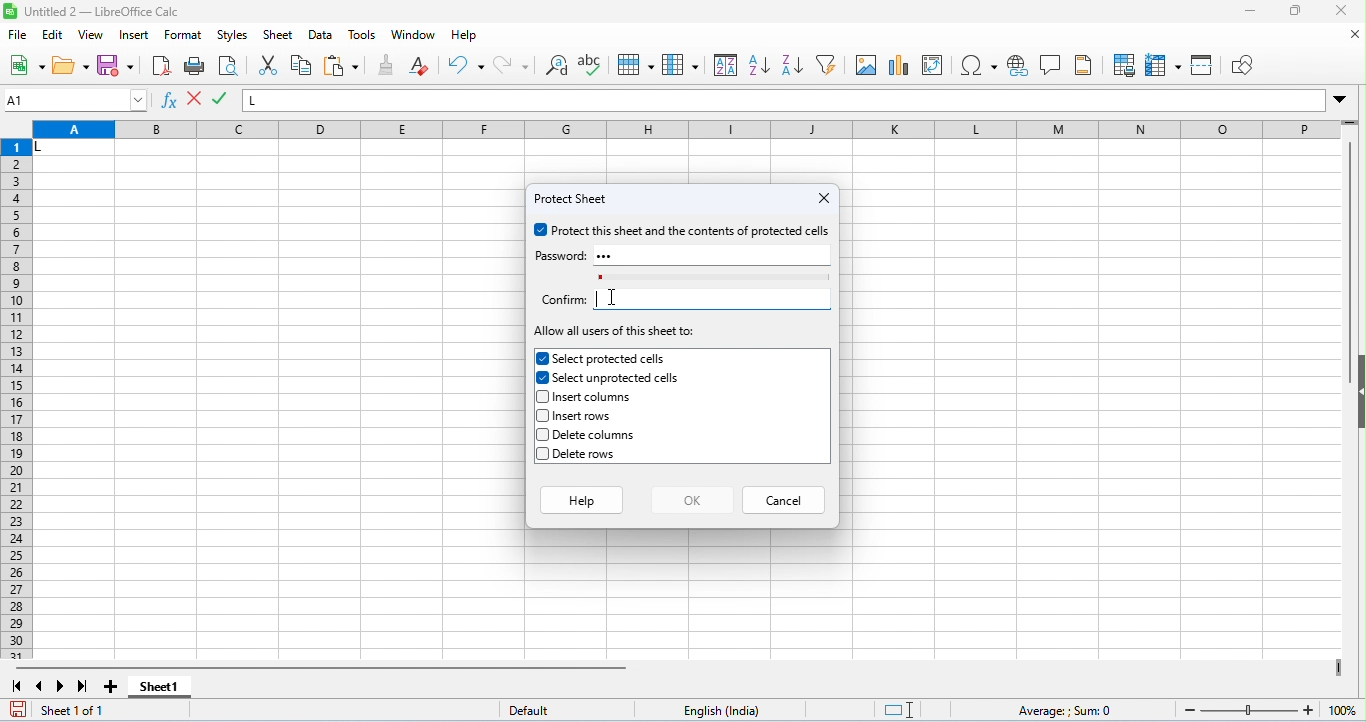 The image size is (1366, 722). What do you see at coordinates (559, 67) in the screenshot?
I see `find and replace` at bounding box center [559, 67].